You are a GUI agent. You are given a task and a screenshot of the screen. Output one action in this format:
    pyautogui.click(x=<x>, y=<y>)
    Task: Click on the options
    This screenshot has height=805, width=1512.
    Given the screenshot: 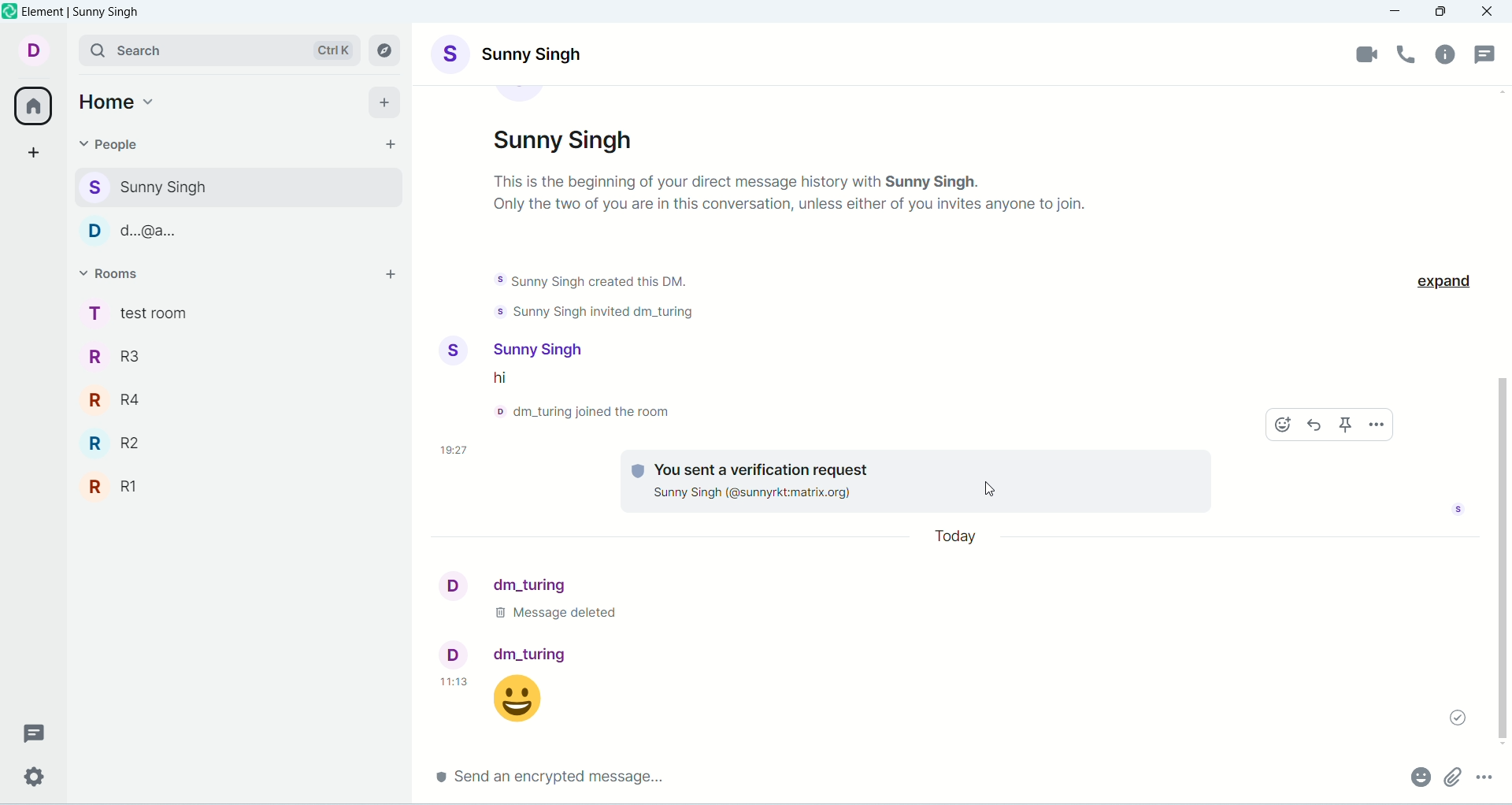 What is the action you would take?
    pyautogui.click(x=1489, y=774)
    